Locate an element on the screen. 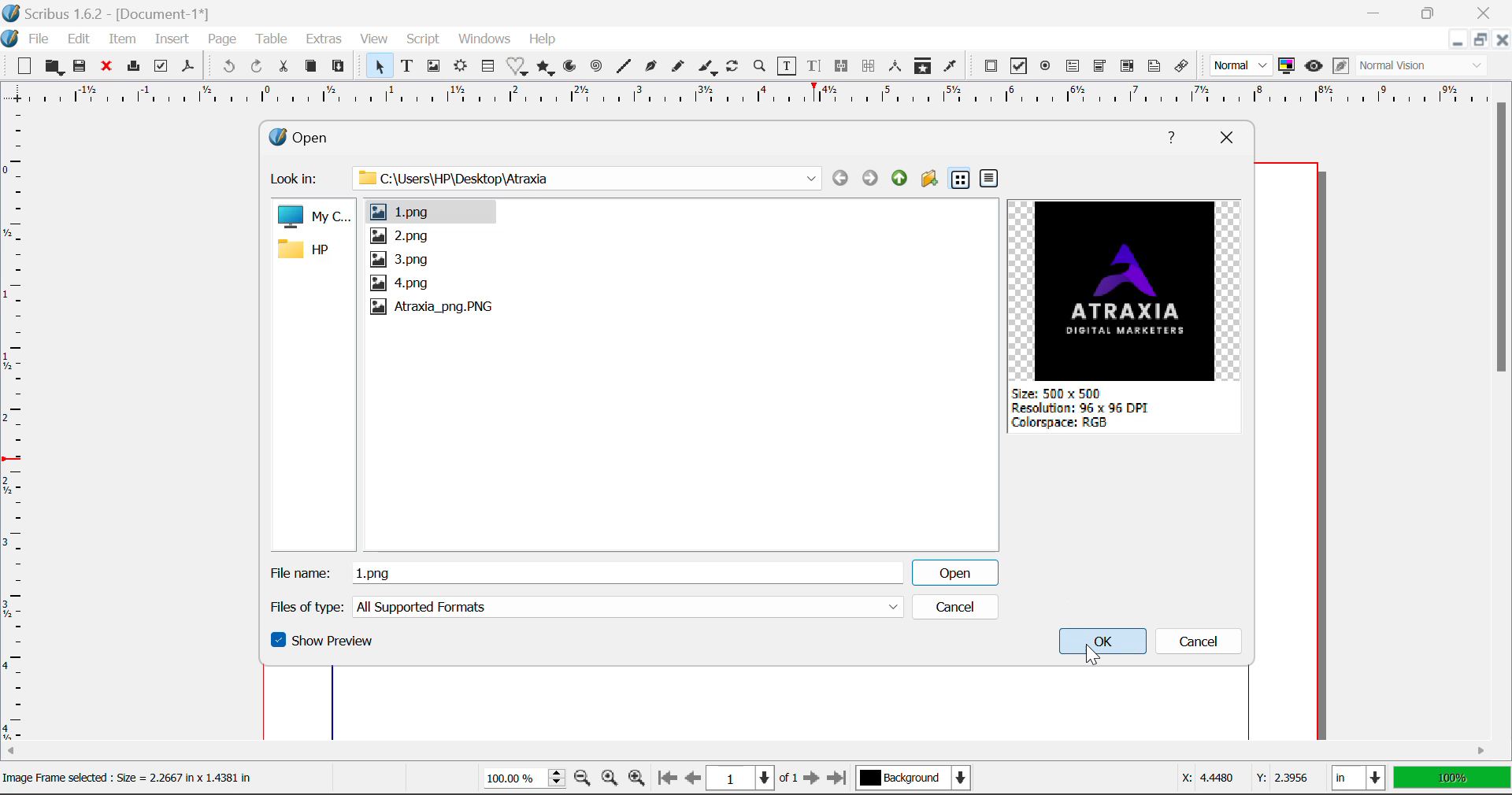 The image size is (1512, 795). View is located at coordinates (375, 41).